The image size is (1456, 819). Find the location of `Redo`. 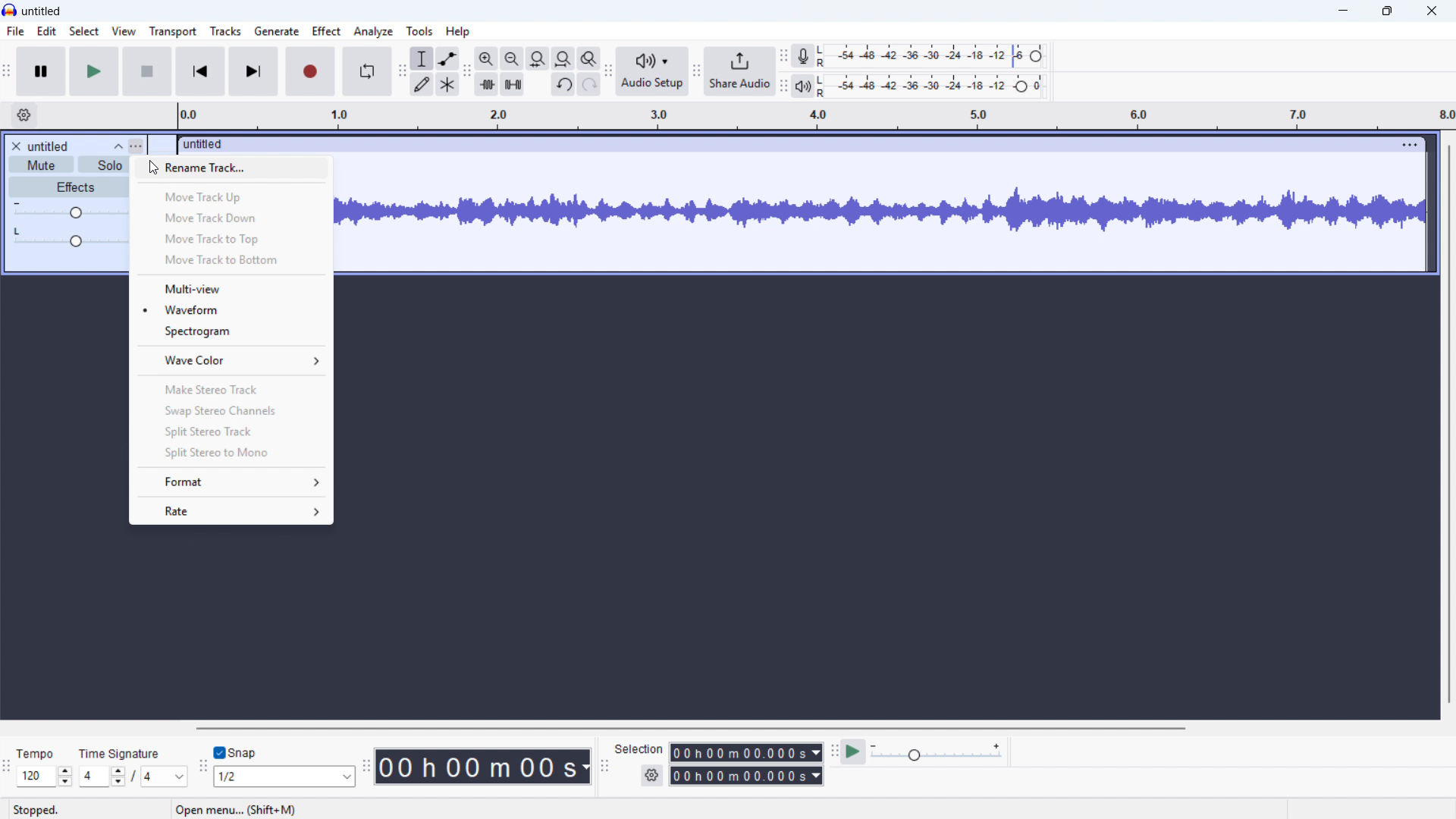

Redo is located at coordinates (589, 85).